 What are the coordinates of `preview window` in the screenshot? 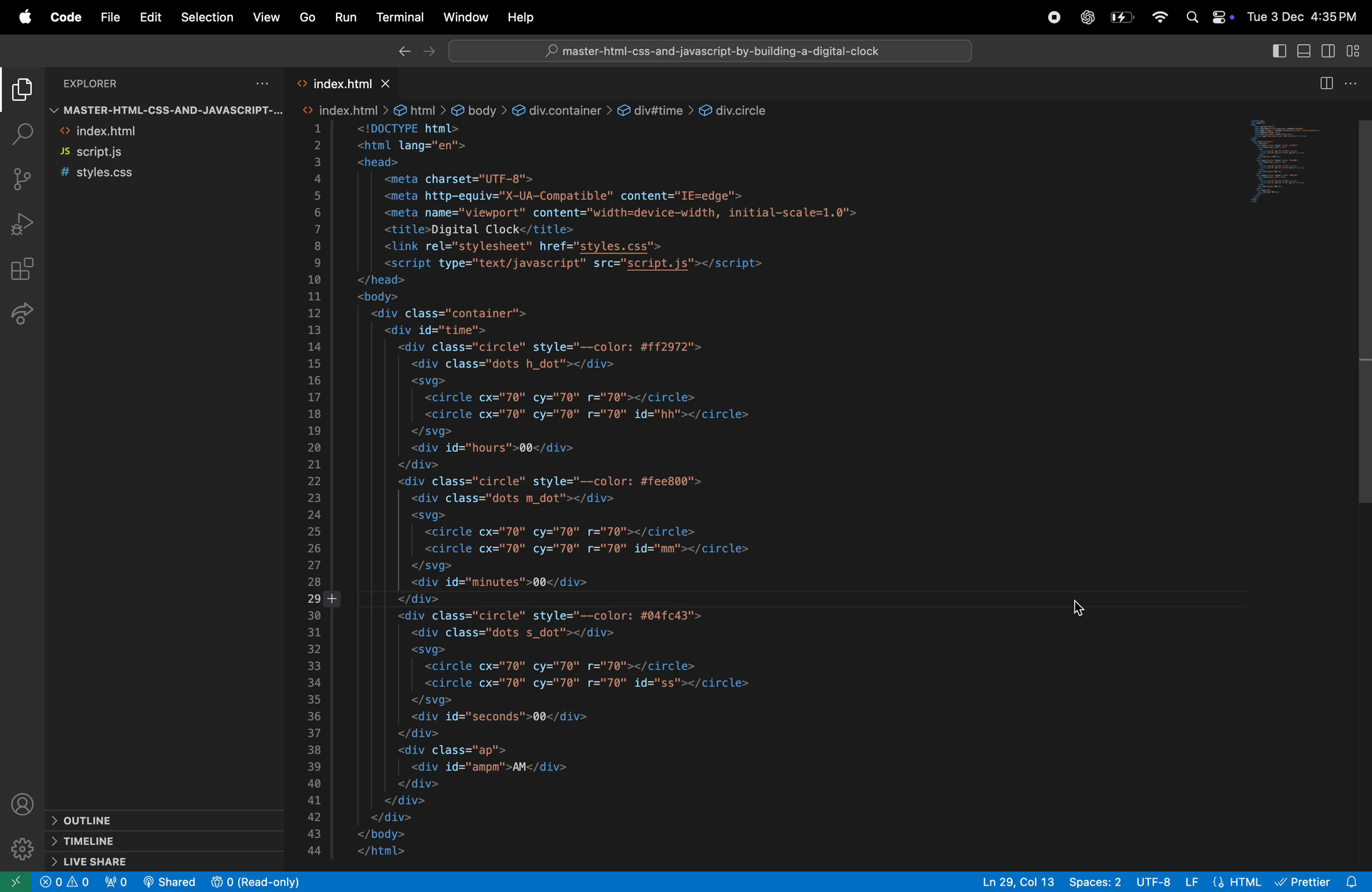 It's located at (1294, 164).